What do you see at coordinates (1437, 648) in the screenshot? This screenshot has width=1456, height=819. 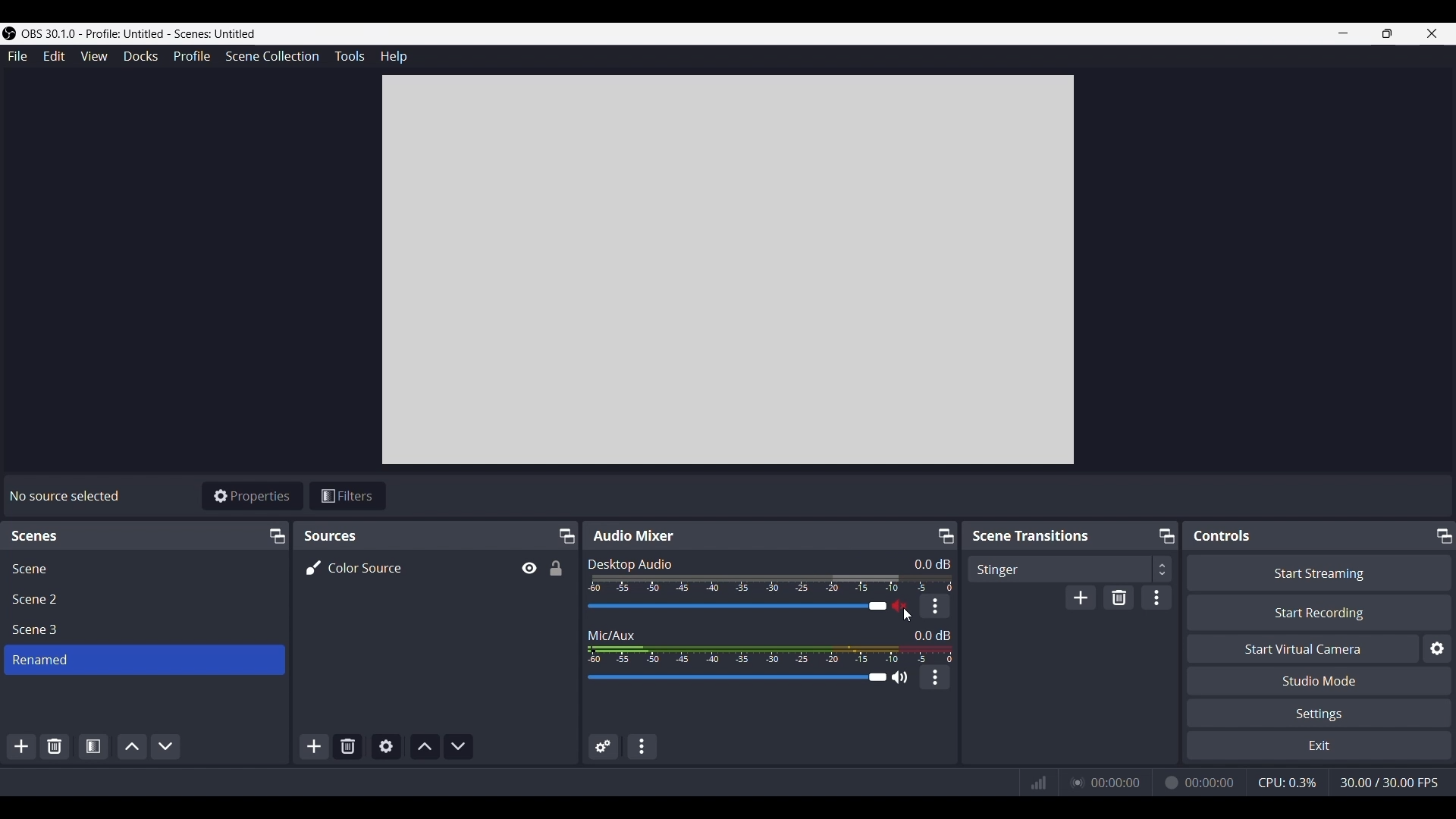 I see `Configure virtual camera` at bounding box center [1437, 648].